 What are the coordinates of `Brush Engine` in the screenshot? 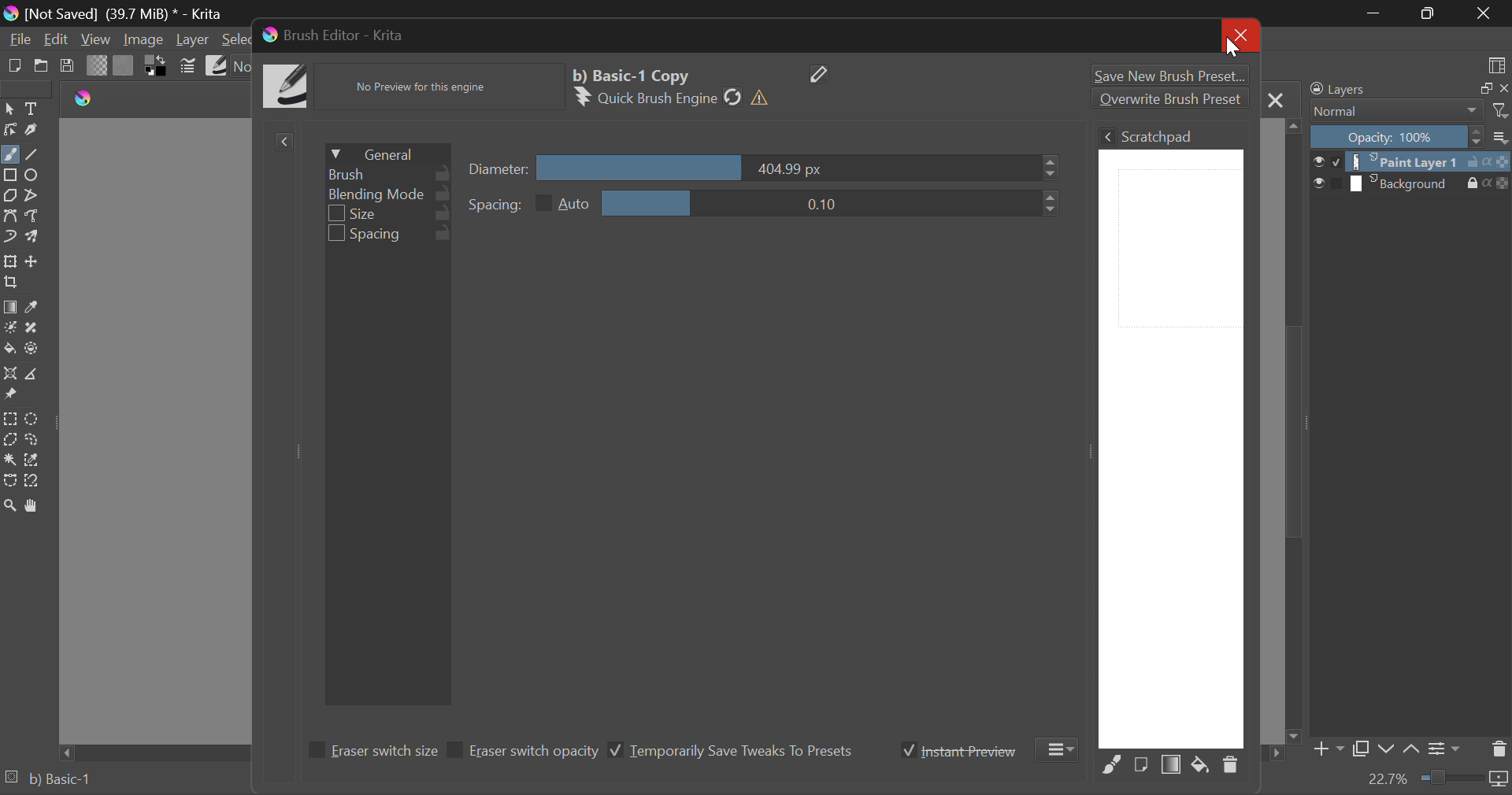 It's located at (675, 98).